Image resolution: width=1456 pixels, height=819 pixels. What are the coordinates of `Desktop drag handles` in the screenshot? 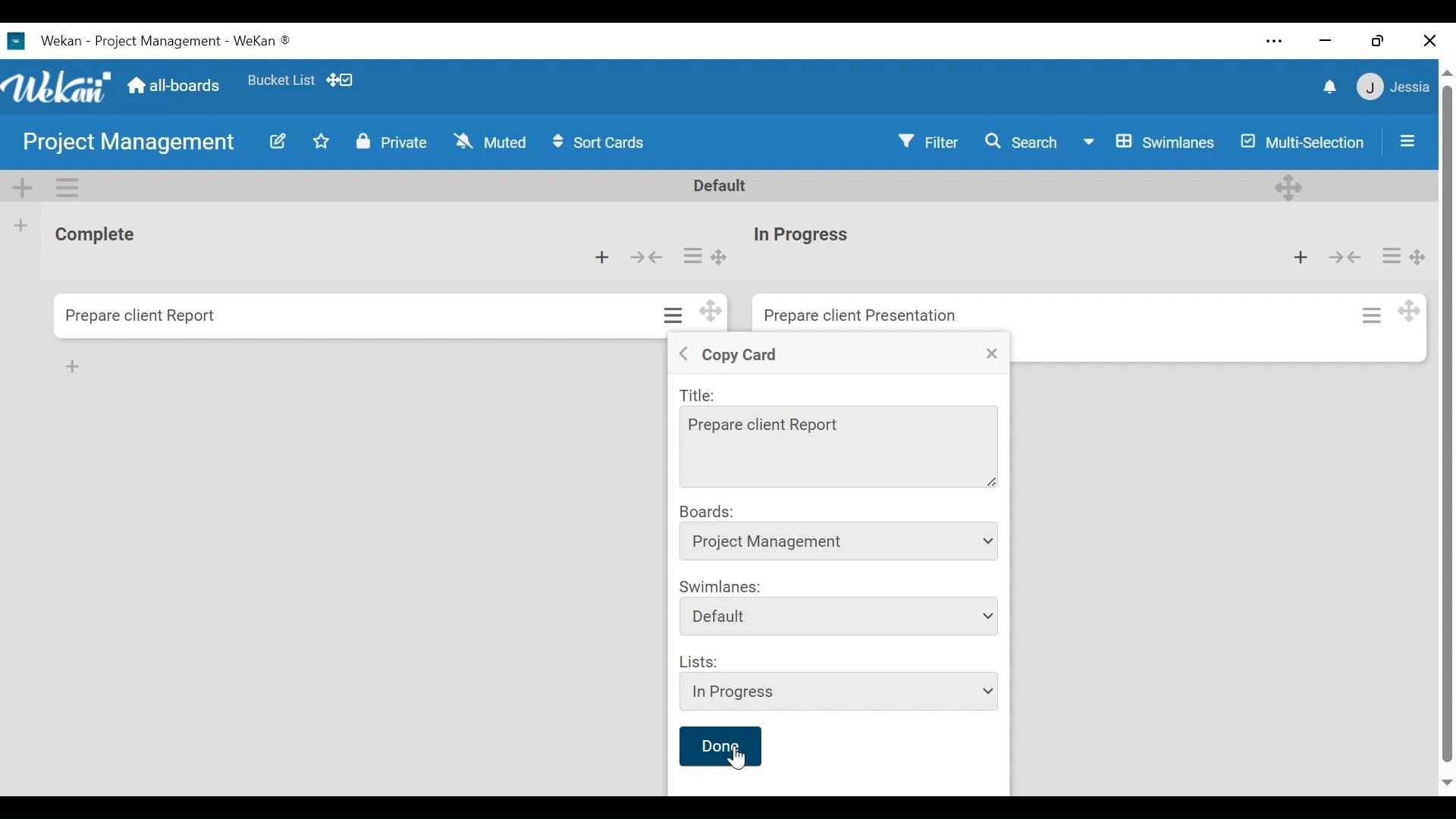 It's located at (711, 310).